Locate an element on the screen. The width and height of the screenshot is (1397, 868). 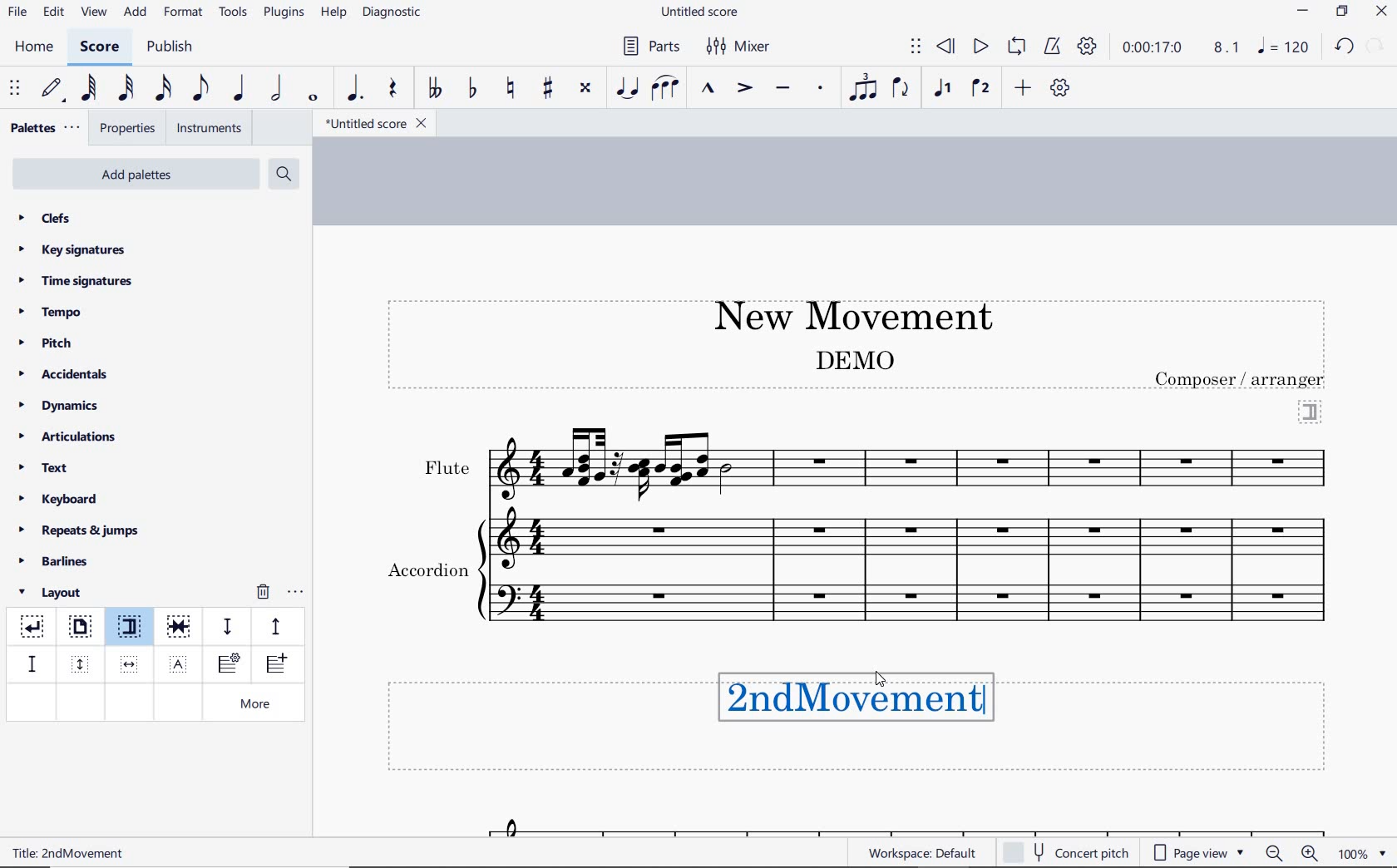
restore down is located at coordinates (1343, 12).